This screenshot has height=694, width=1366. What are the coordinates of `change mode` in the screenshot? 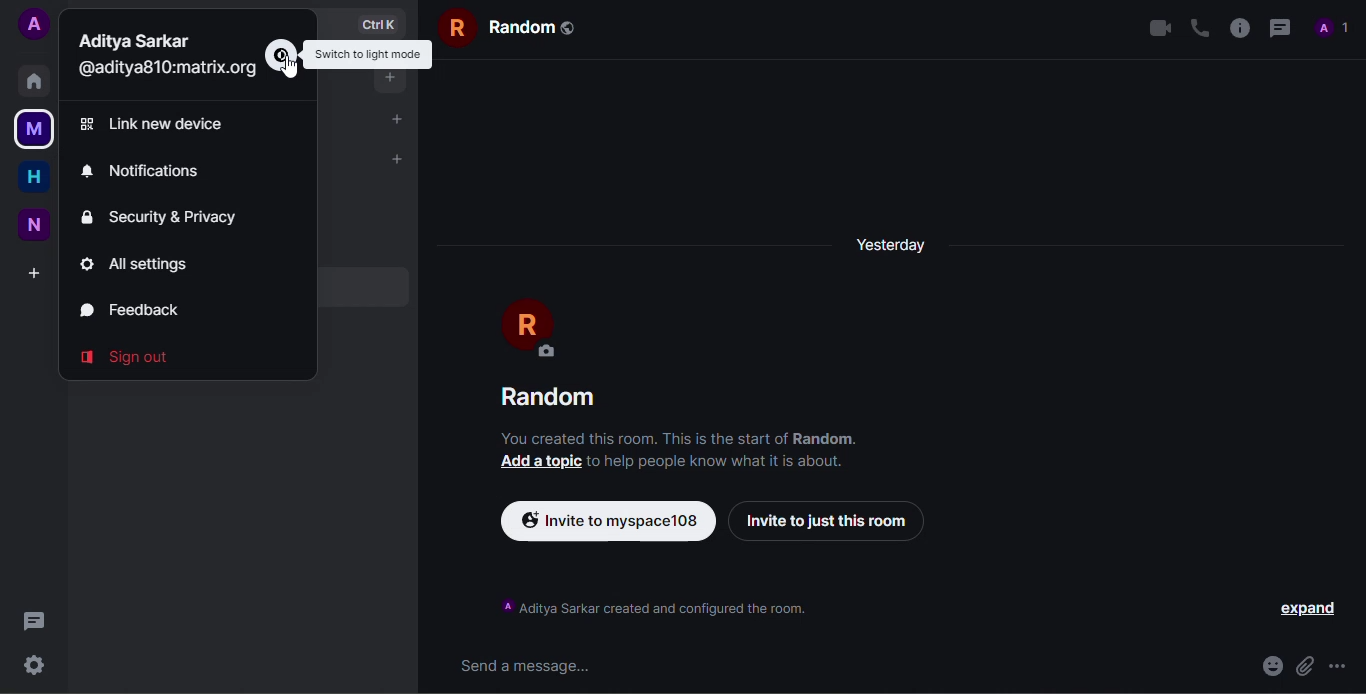 It's located at (281, 54).